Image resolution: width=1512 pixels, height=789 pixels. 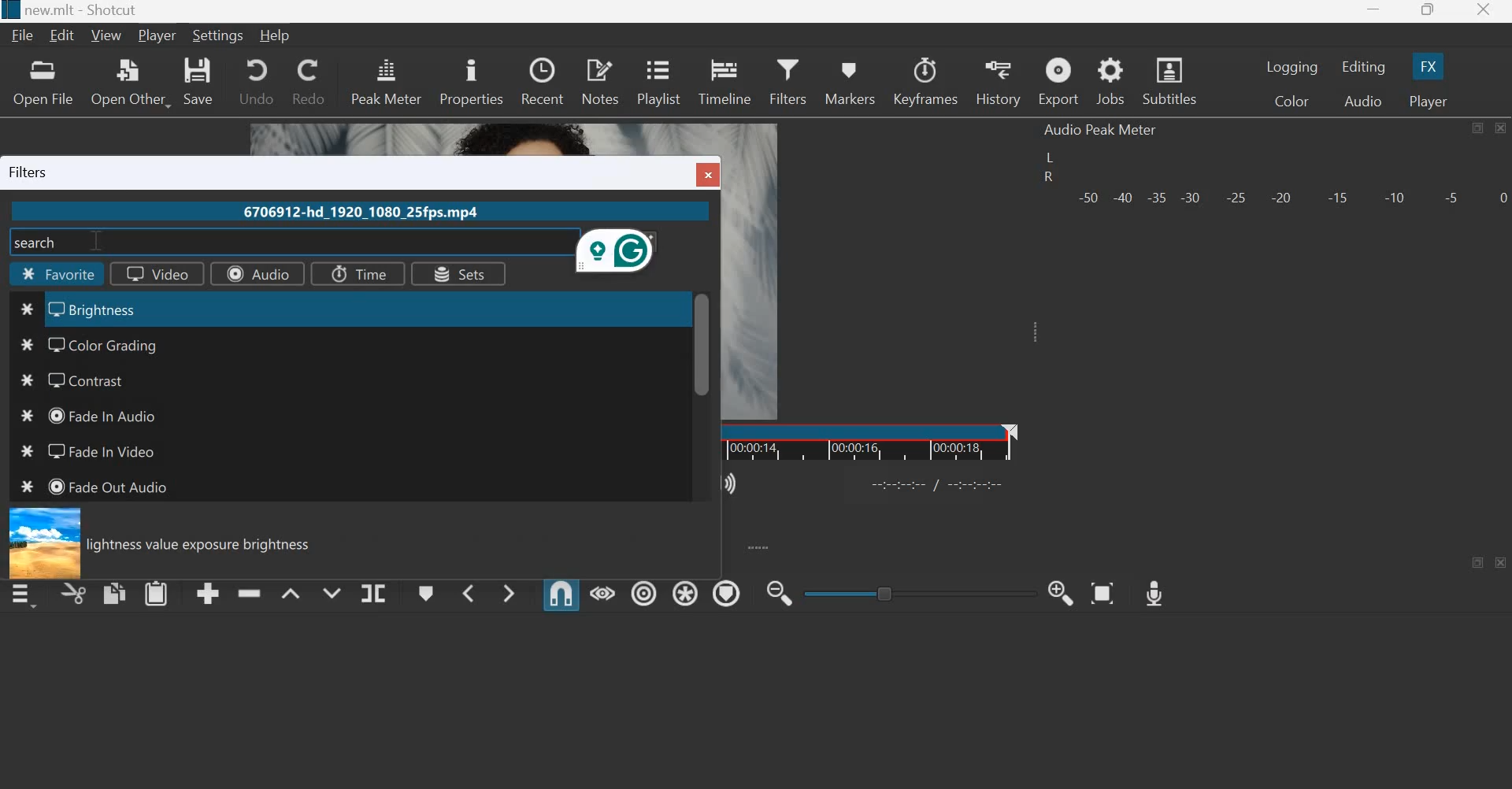 I want to click on Filters, so click(x=34, y=172).